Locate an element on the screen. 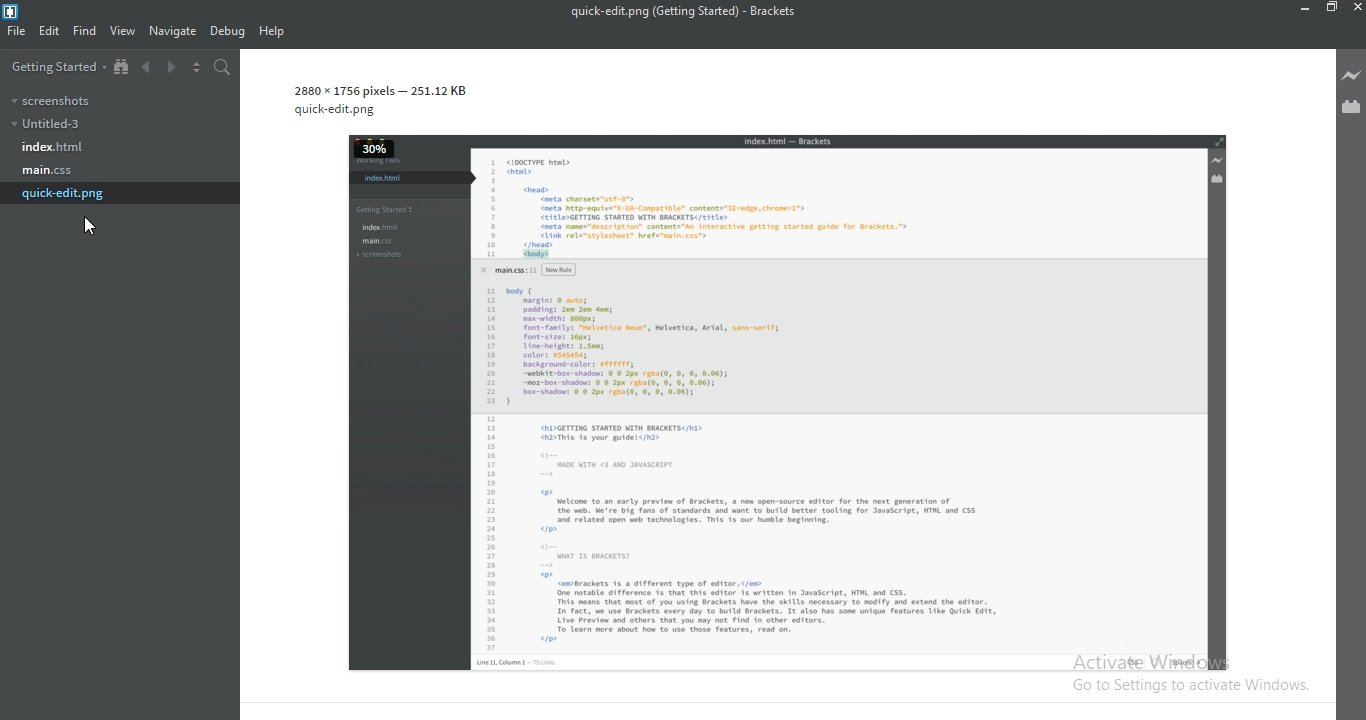  backward is located at coordinates (148, 69).